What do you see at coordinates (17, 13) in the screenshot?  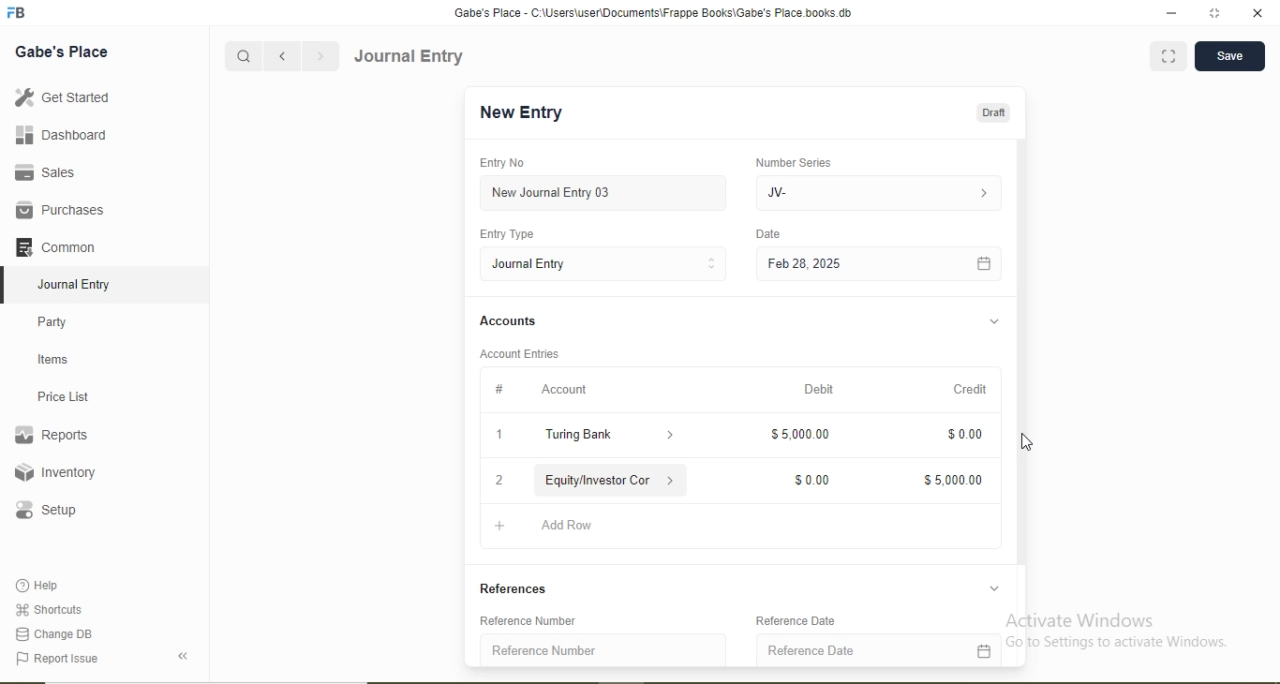 I see `Logo` at bounding box center [17, 13].